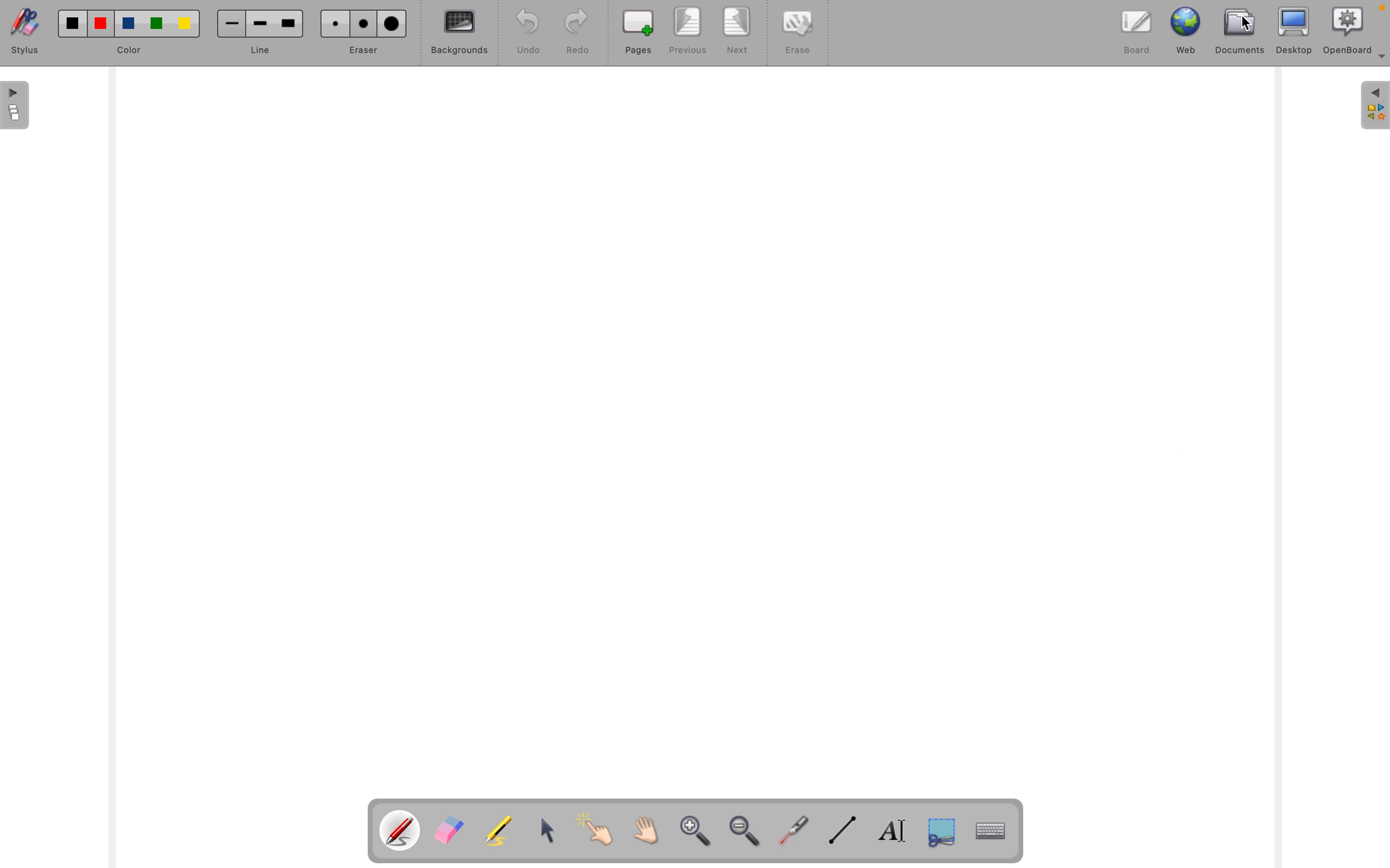 This screenshot has width=1390, height=868. I want to click on eraser, so click(366, 33).